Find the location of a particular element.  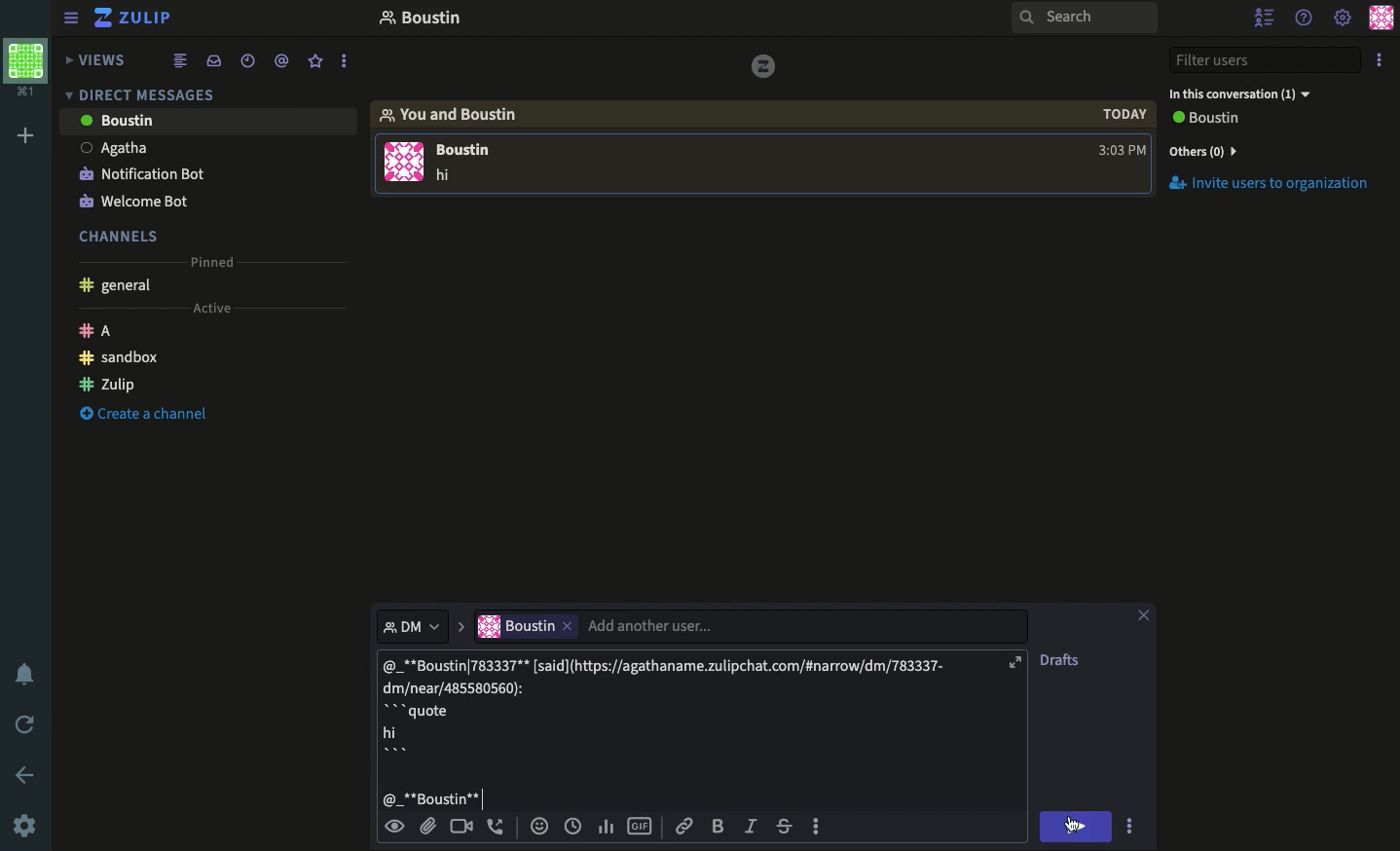

Reaction is located at coordinates (539, 828).